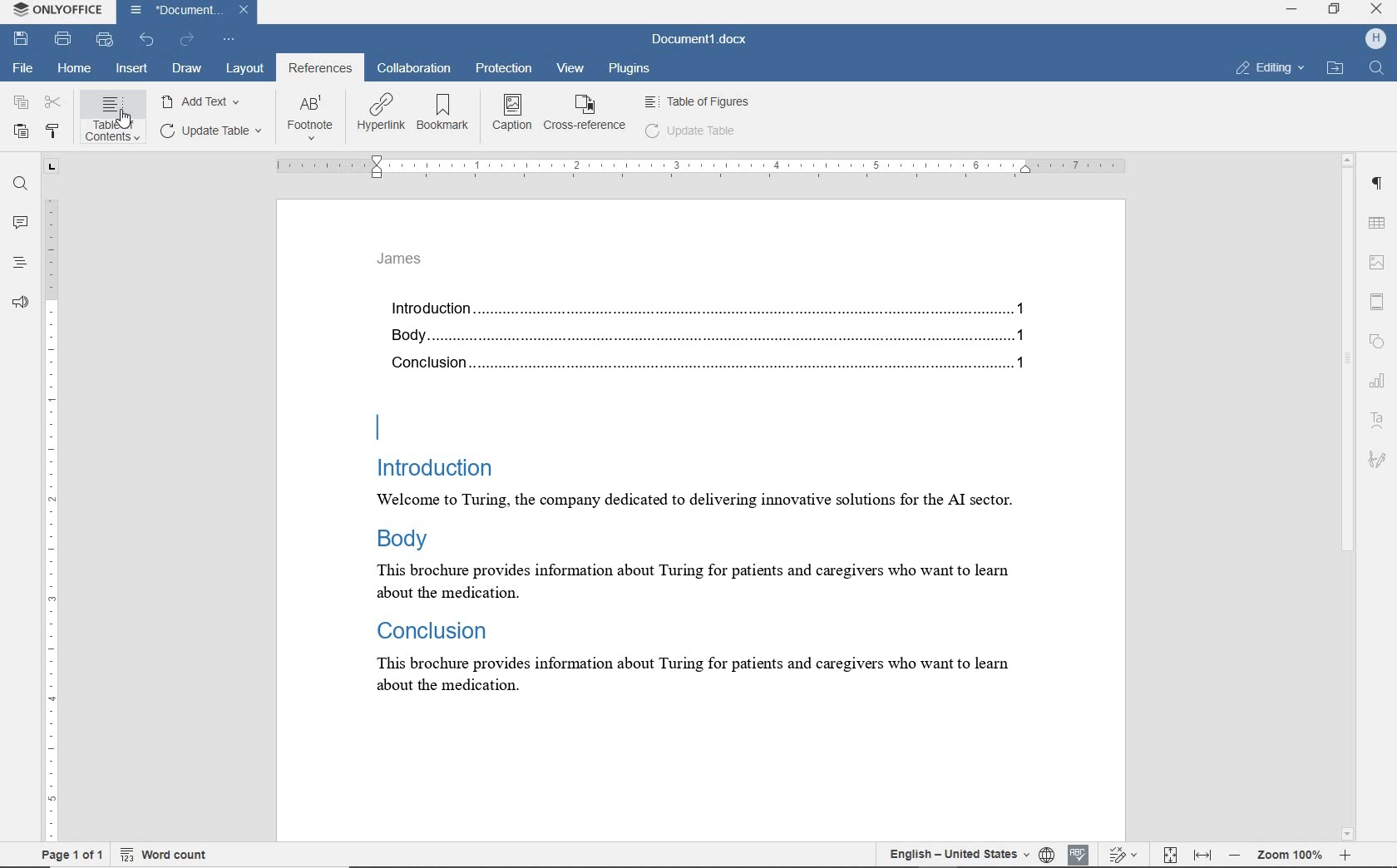  What do you see at coordinates (1375, 42) in the screenshot?
I see `HP` at bounding box center [1375, 42].